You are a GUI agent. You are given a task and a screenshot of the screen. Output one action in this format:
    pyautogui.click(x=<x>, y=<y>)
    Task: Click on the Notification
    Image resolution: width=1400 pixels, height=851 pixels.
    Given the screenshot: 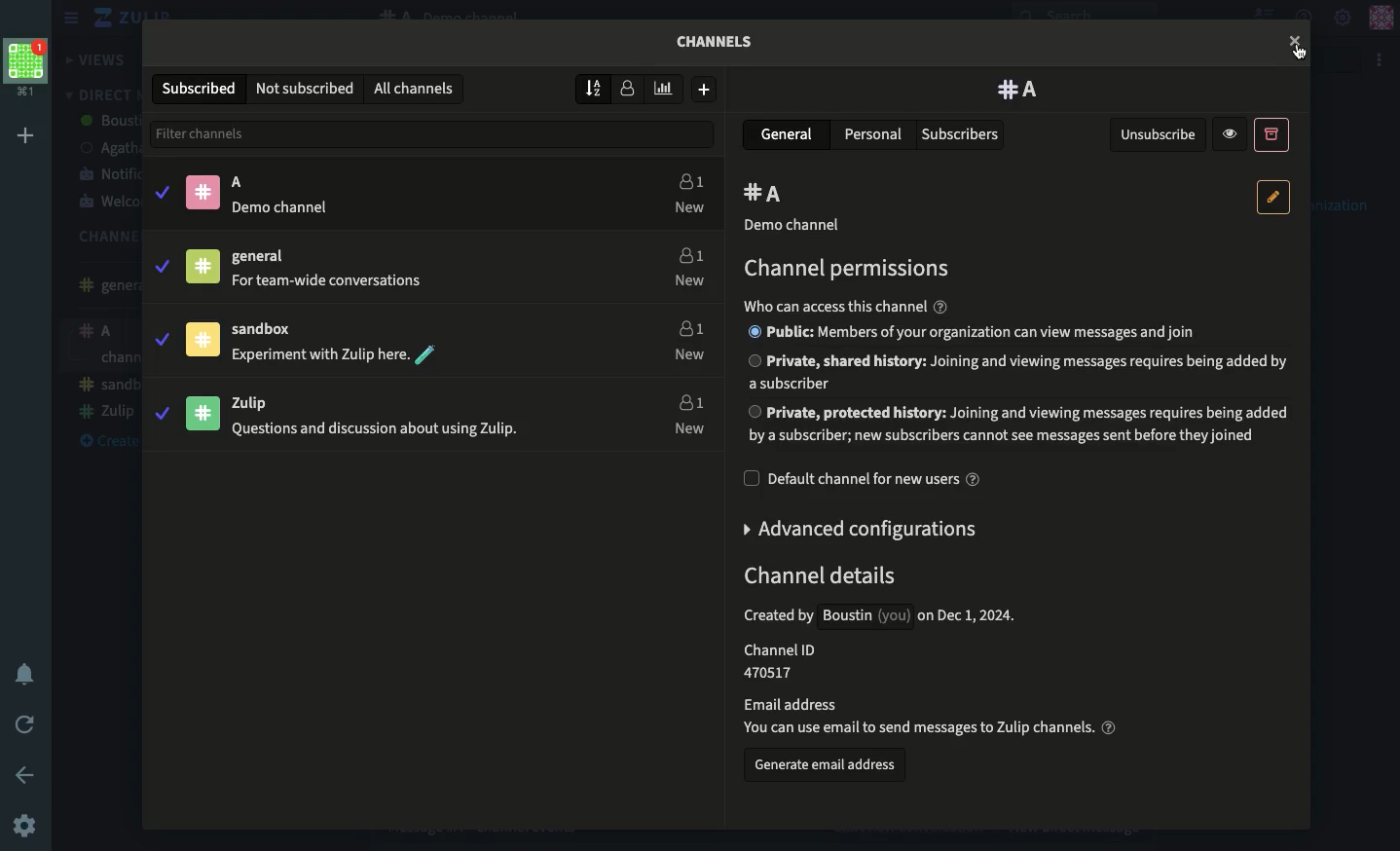 What is the action you would take?
    pyautogui.click(x=25, y=676)
    